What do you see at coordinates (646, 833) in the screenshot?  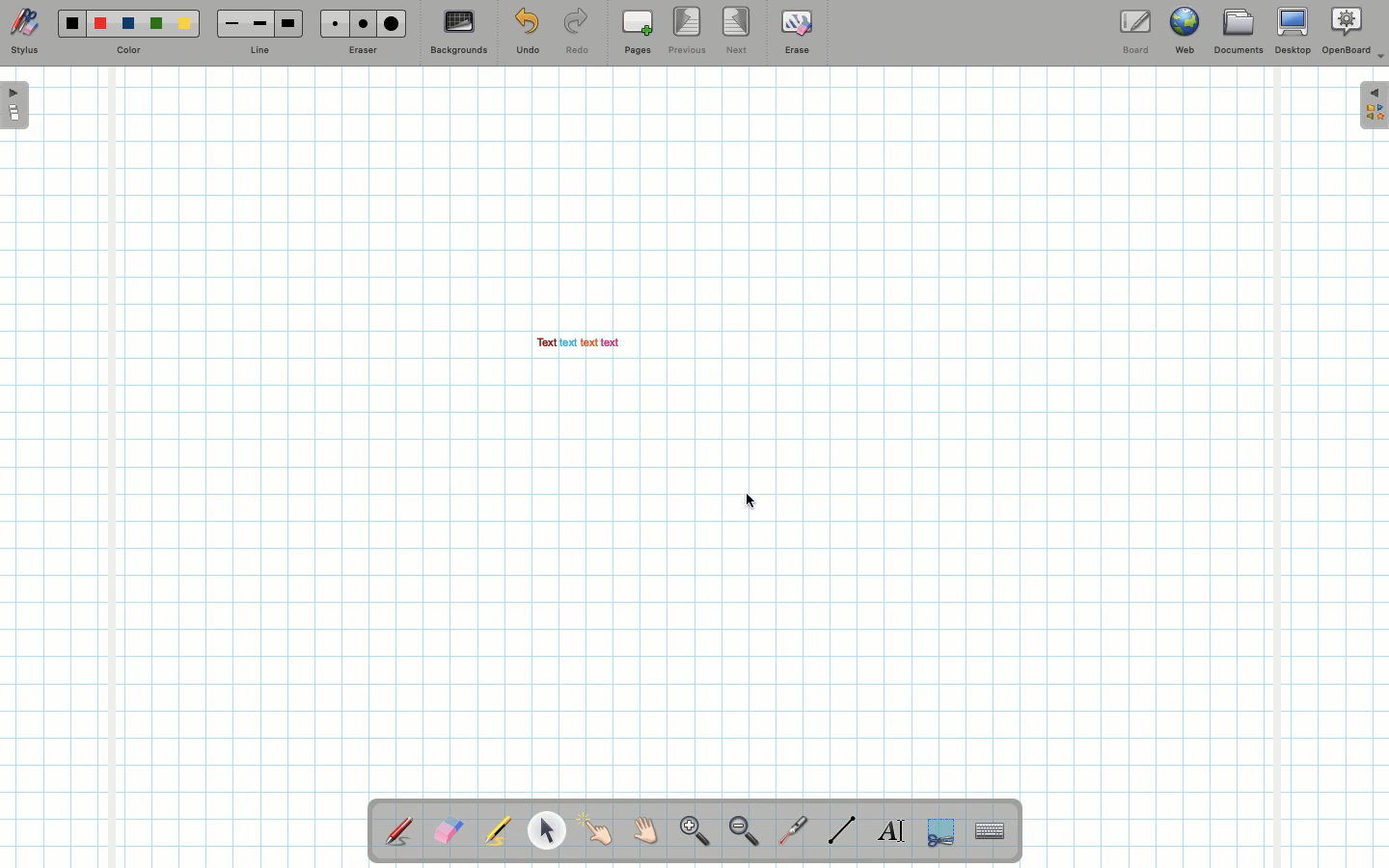 I see `Grab` at bounding box center [646, 833].